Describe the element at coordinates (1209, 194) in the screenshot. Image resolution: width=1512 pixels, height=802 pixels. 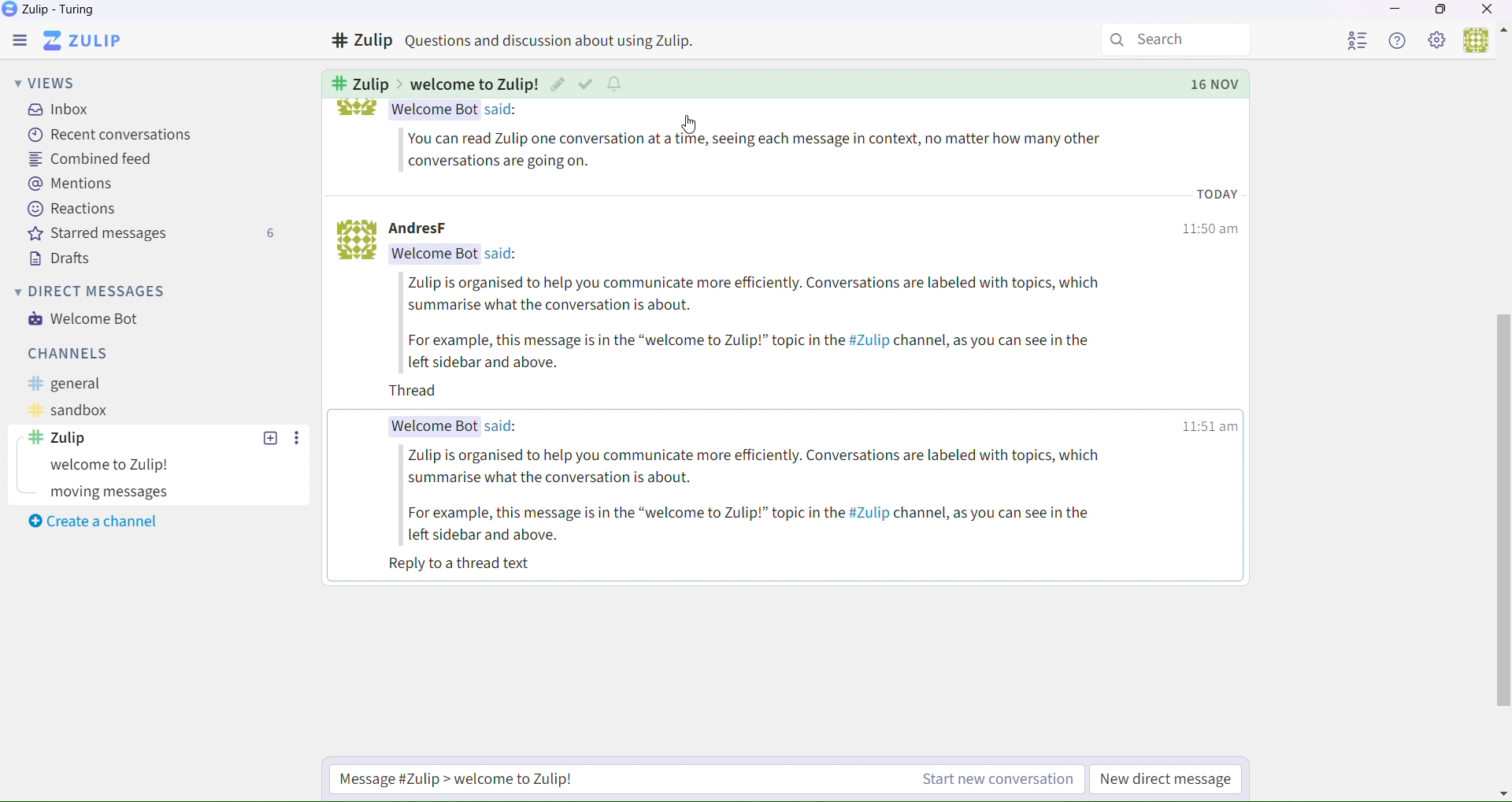
I see `12:21 pm` at that location.